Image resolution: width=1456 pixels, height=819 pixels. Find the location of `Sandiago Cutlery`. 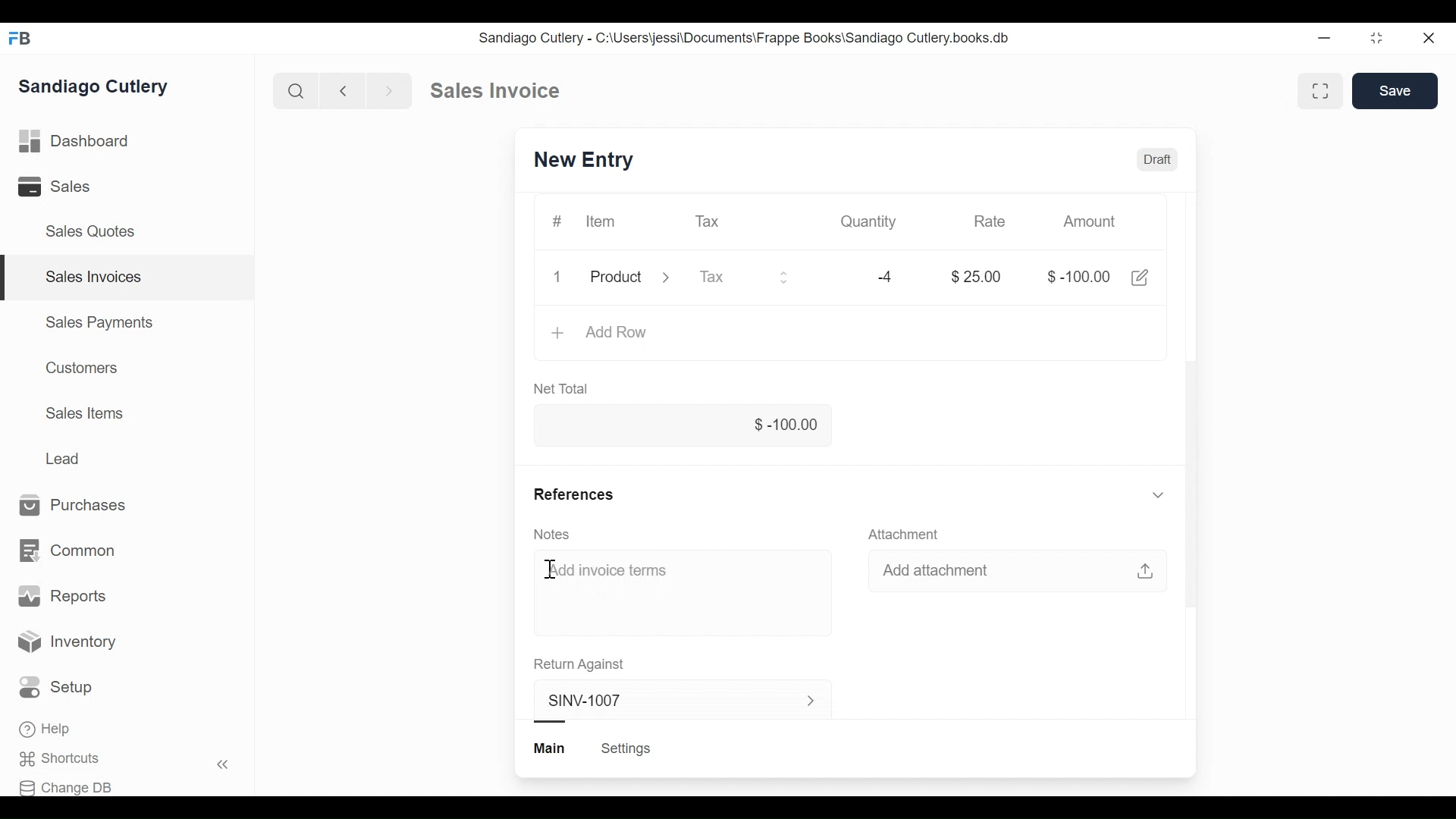

Sandiago Cutlery is located at coordinates (94, 85).